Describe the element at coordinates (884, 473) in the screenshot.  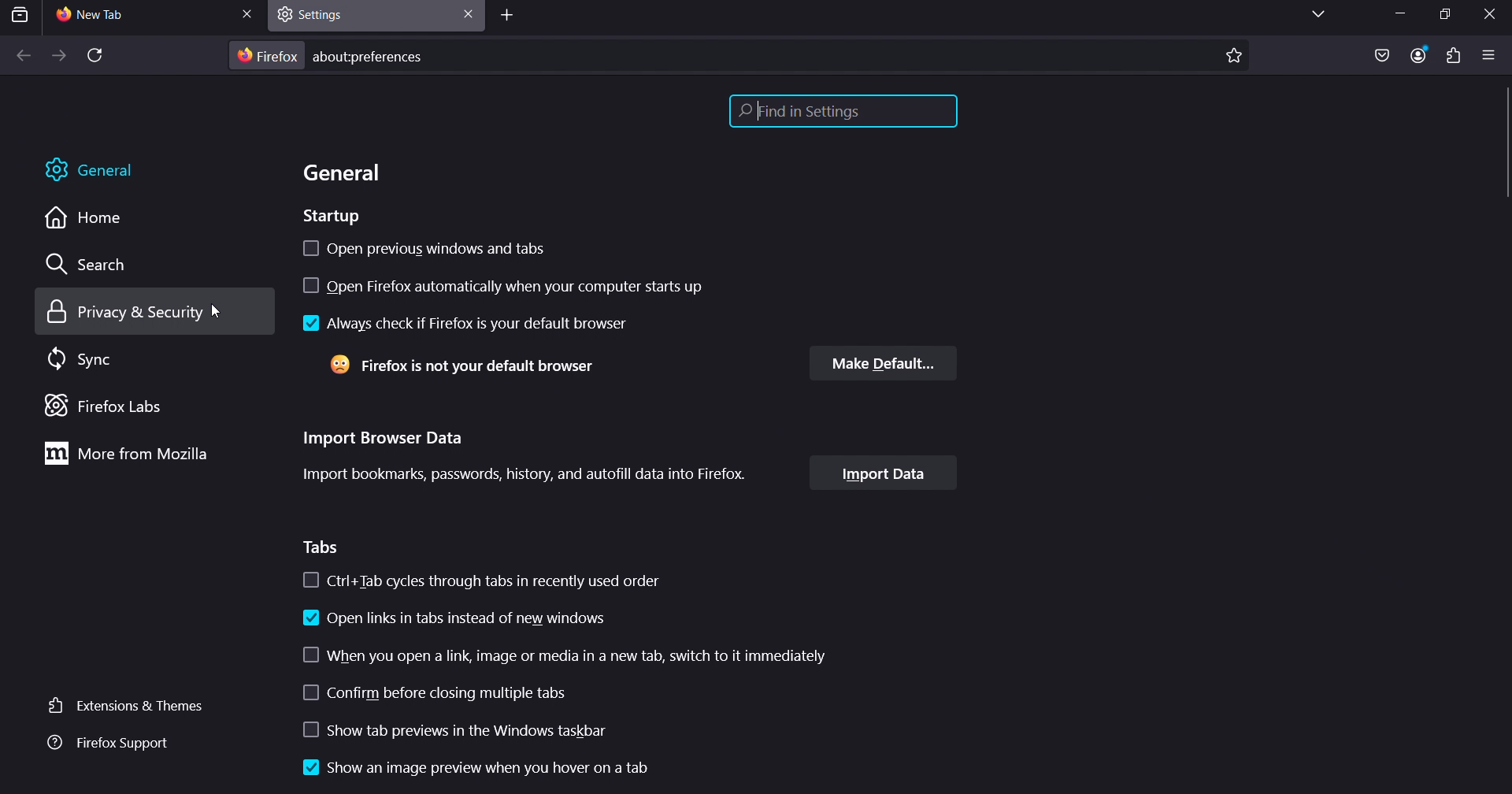
I see `import data` at that location.